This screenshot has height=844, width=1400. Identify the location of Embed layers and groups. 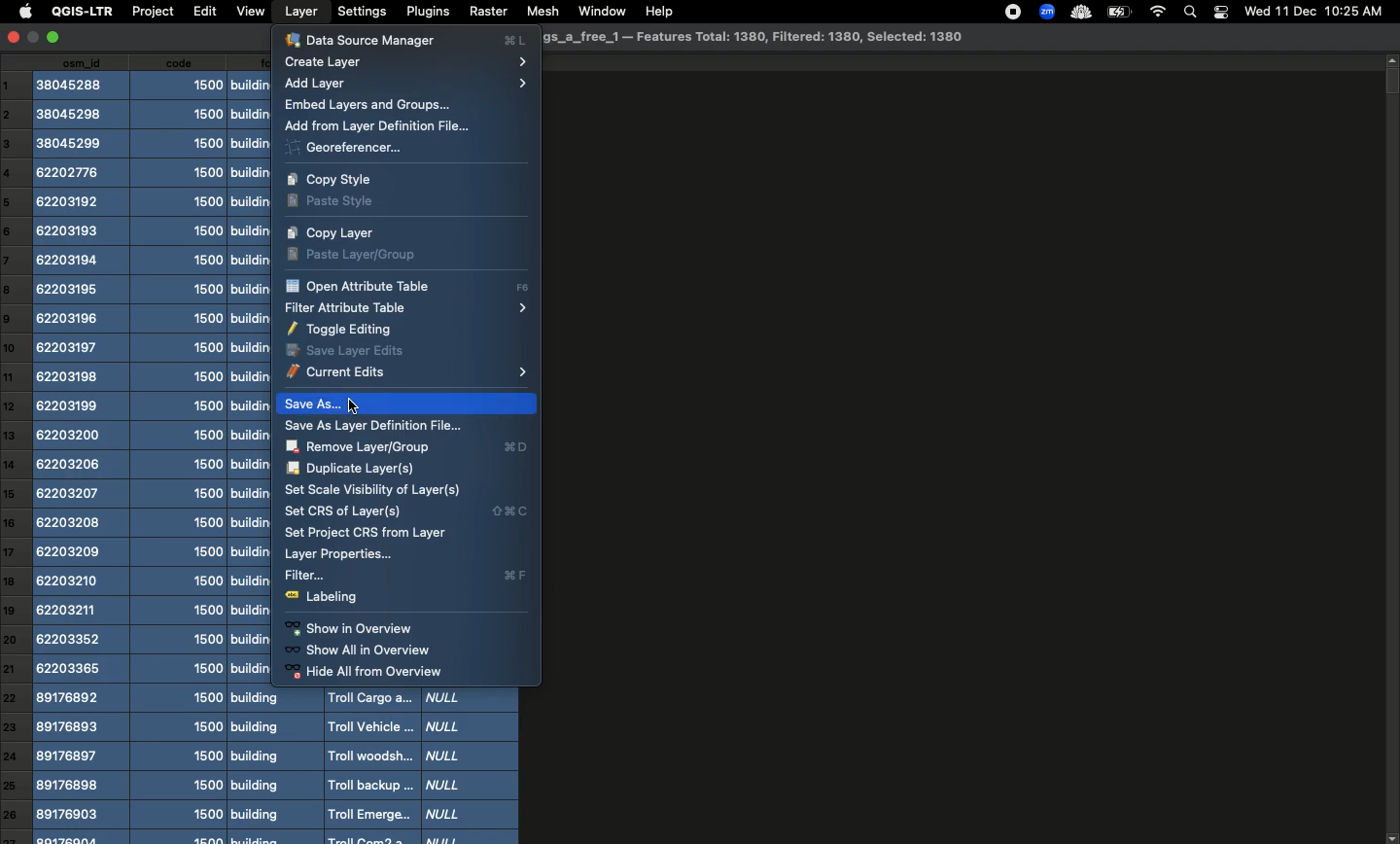
(367, 106).